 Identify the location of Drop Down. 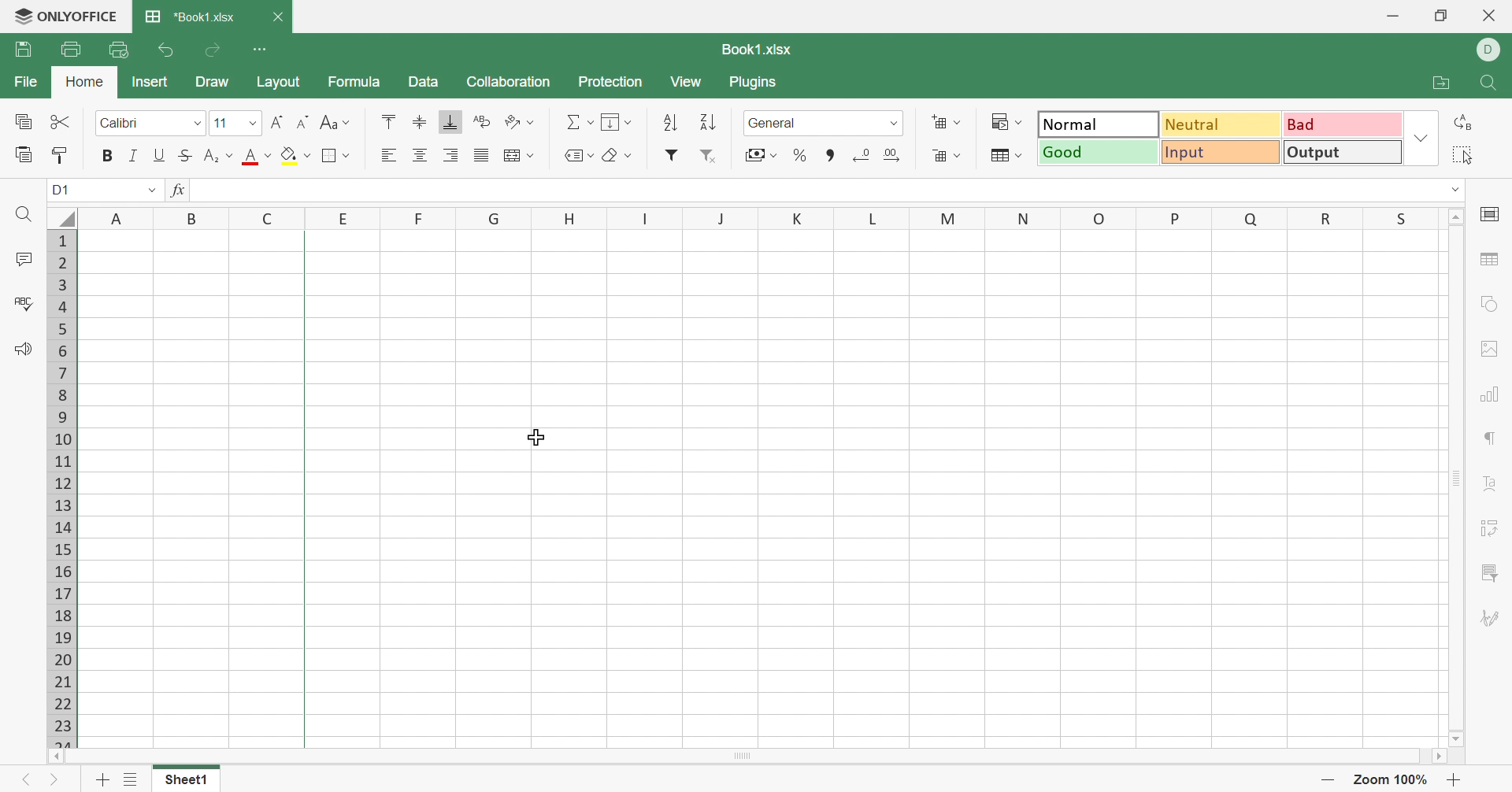
(532, 156).